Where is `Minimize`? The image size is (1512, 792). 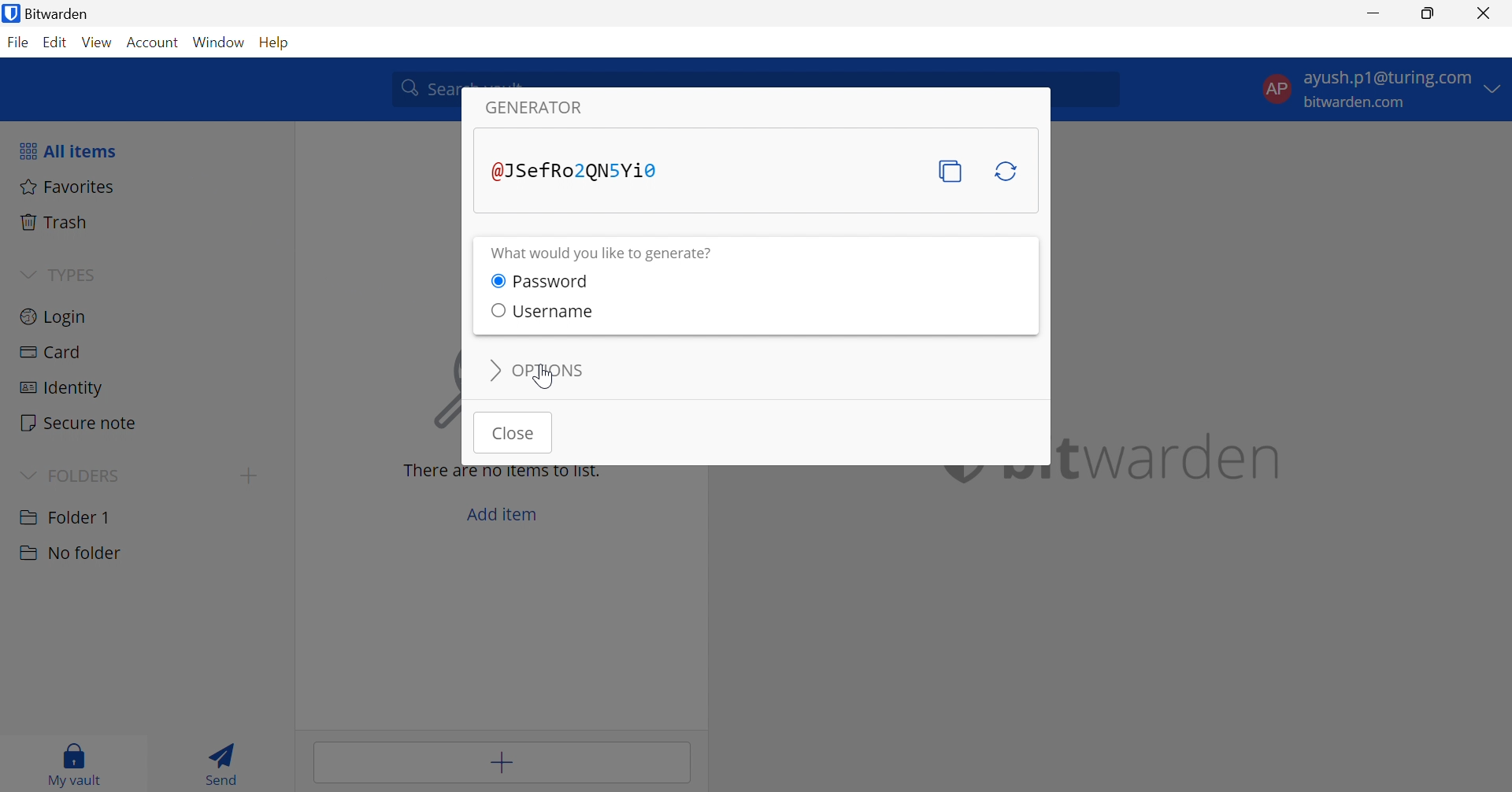
Minimize is located at coordinates (1374, 11).